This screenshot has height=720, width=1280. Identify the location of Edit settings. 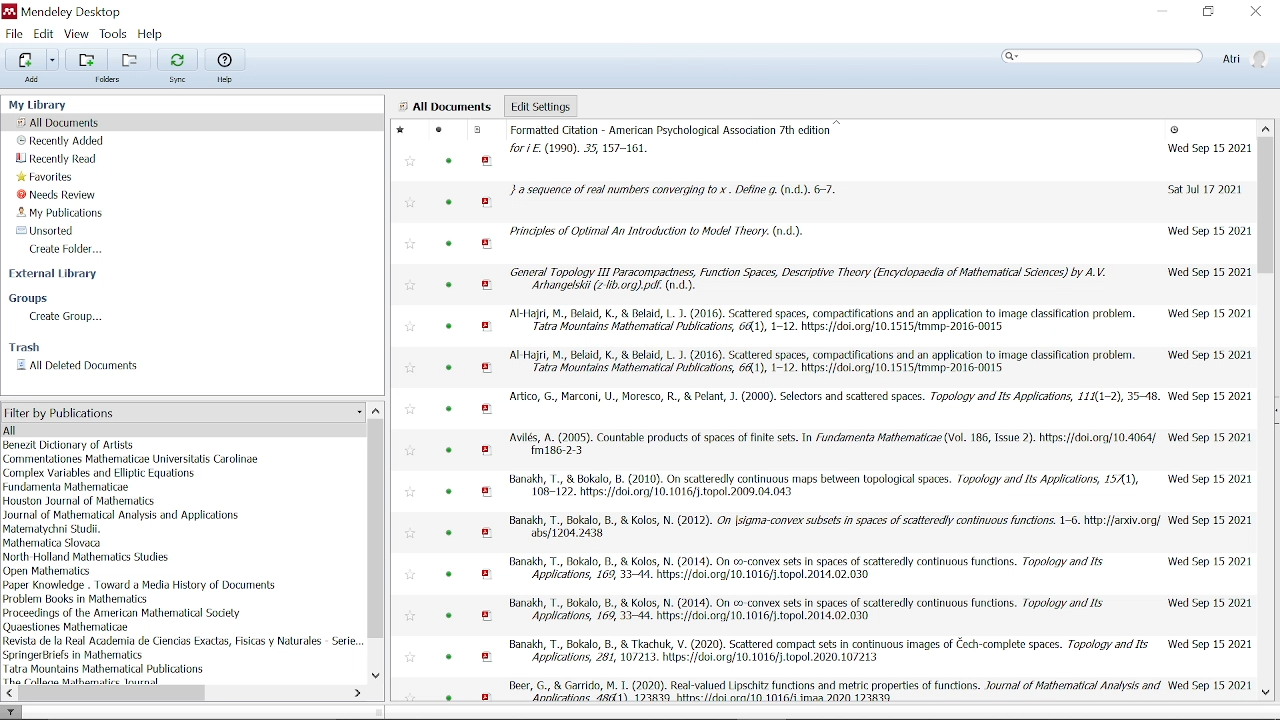
(540, 105).